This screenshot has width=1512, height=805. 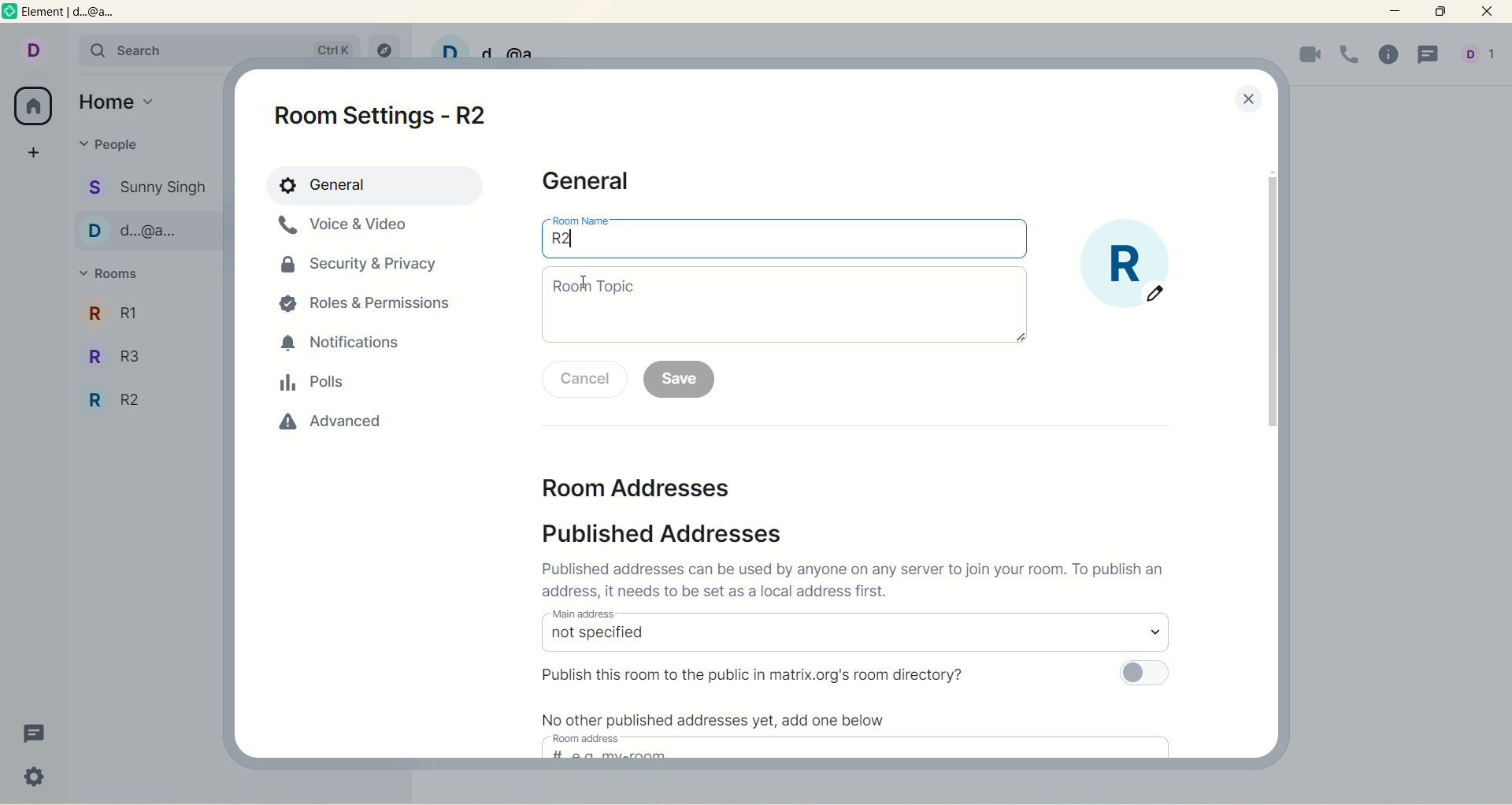 I want to click on cancel, so click(x=585, y=379).